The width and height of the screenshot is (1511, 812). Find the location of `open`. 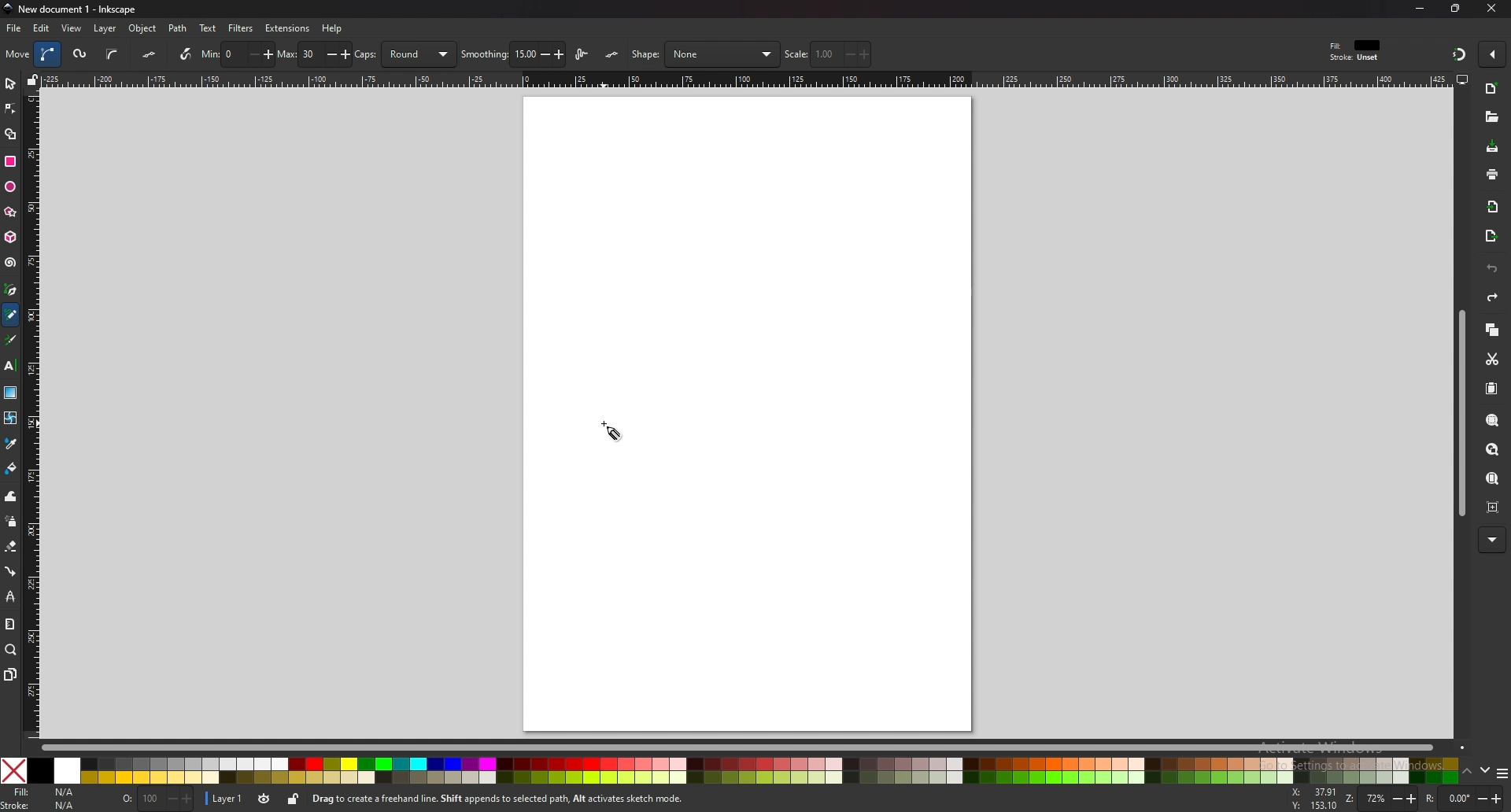

open is located at coordinates (1493, 116).